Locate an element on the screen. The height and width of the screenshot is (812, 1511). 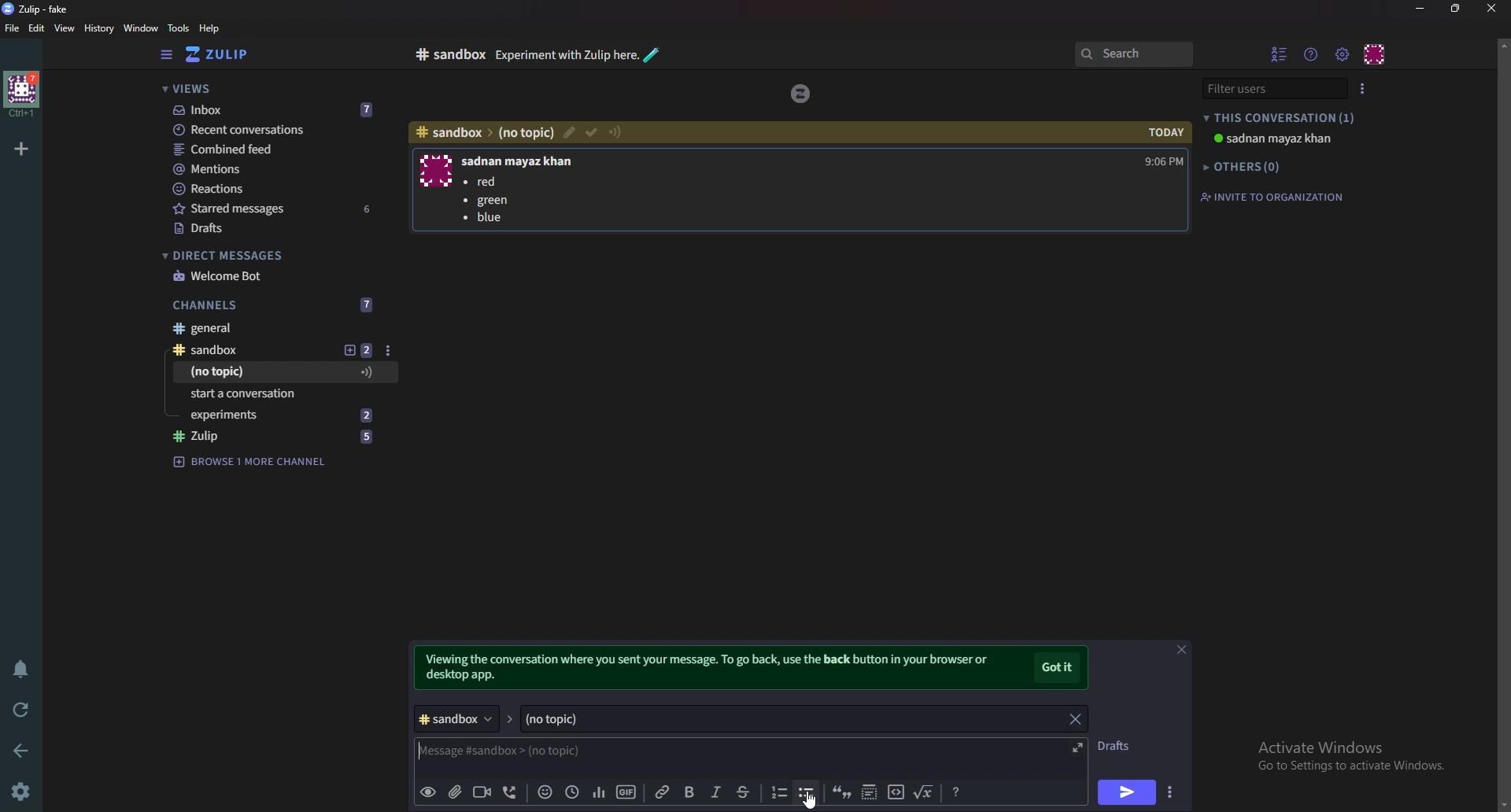
Bullet list is located at coordinates (807, 792).